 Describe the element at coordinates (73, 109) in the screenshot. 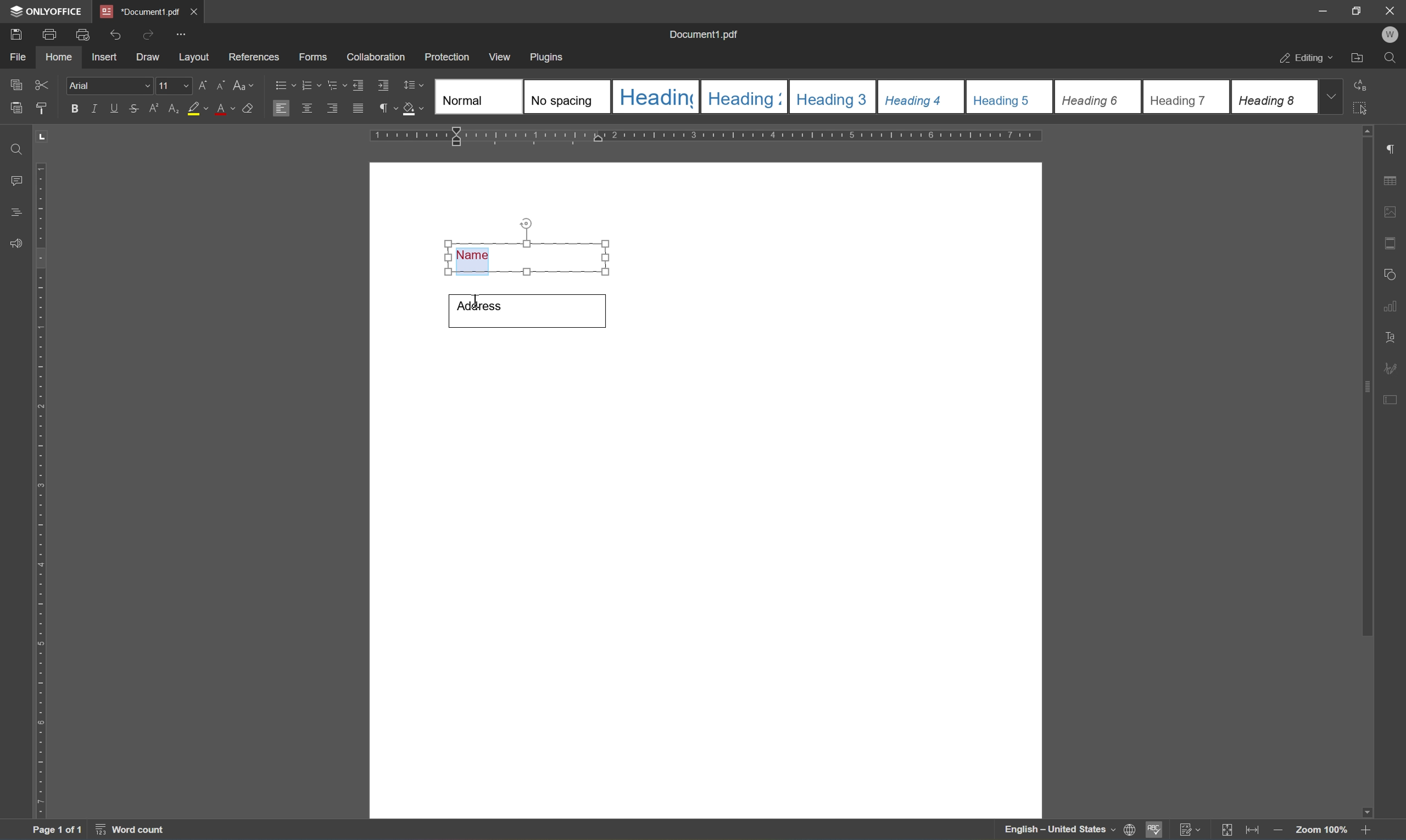

I see `bold` at that location.